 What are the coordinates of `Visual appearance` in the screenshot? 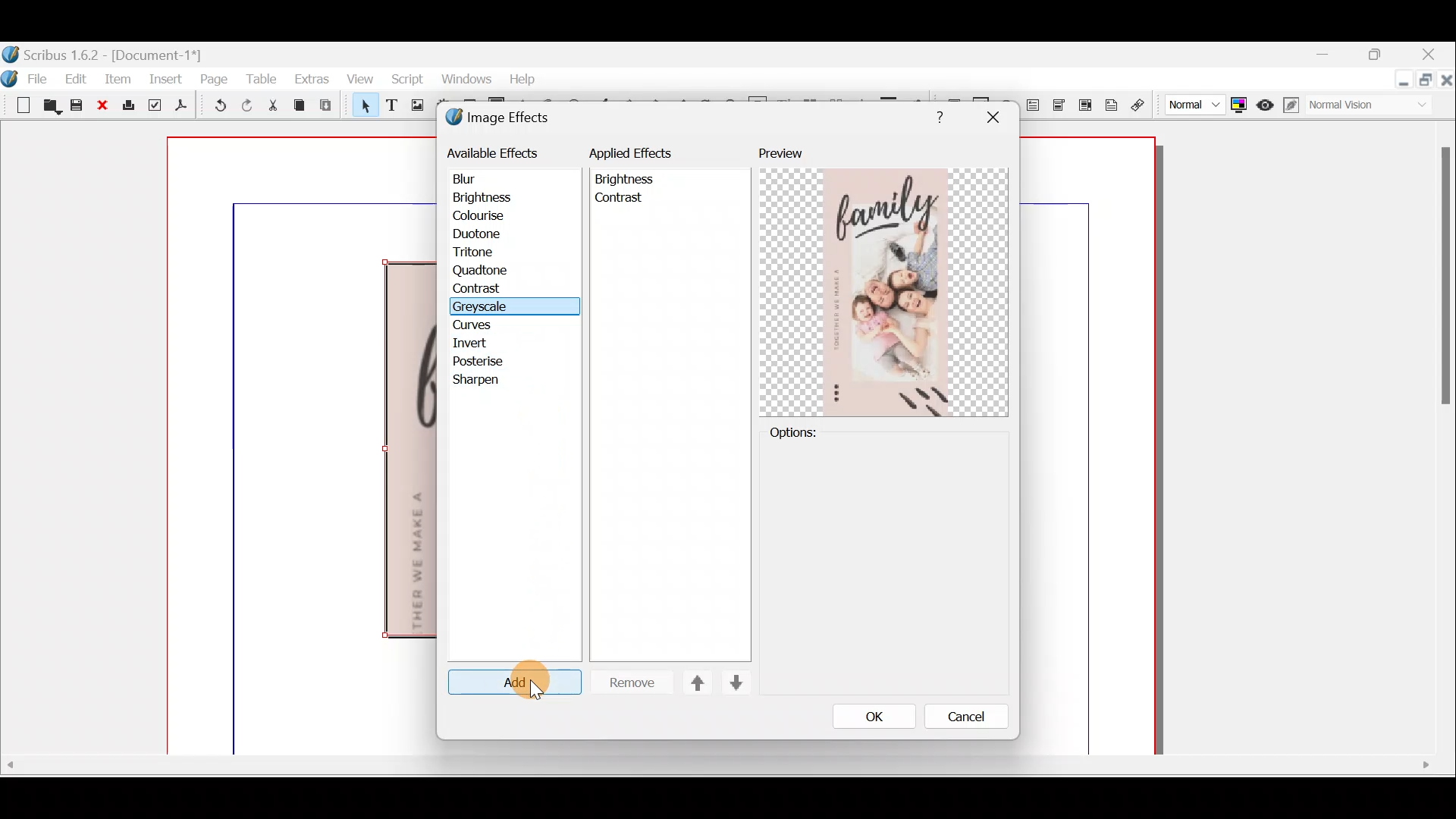 It's located at (1355, 106).